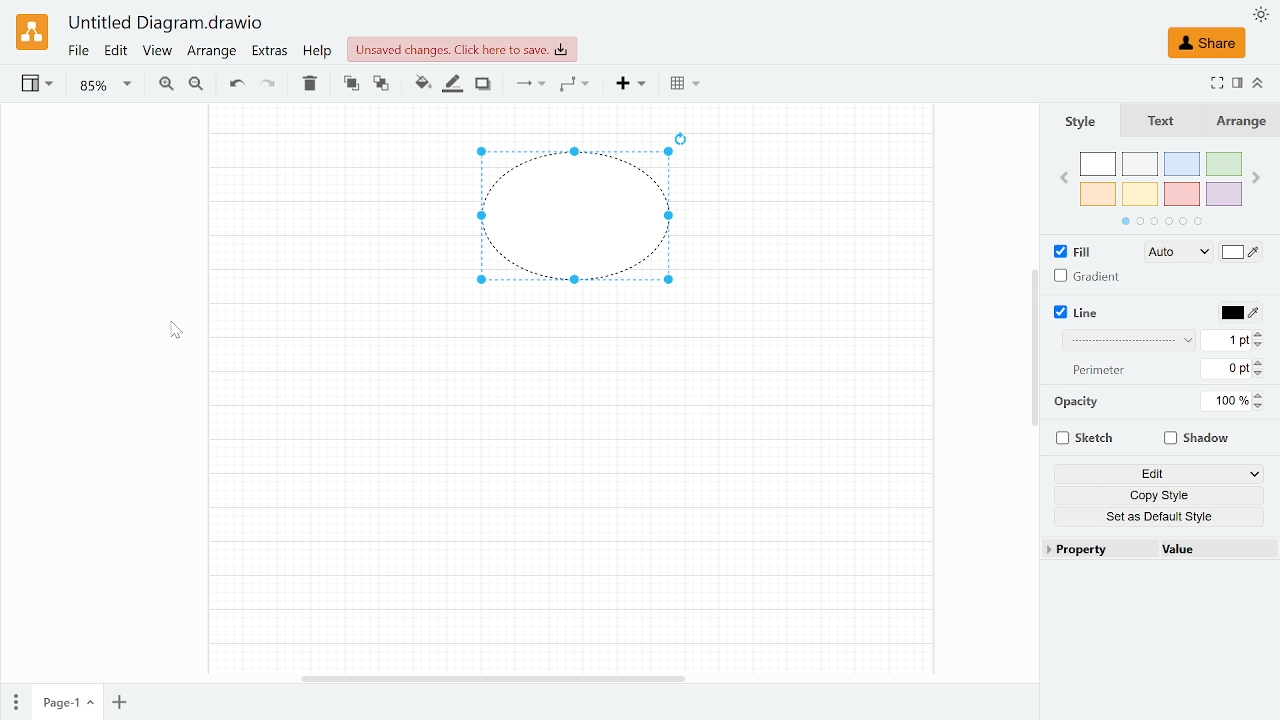 The image size is (1280, 720). Describe the element at coordinates (318, 52) in the screenshot. I see `Help` at that location.